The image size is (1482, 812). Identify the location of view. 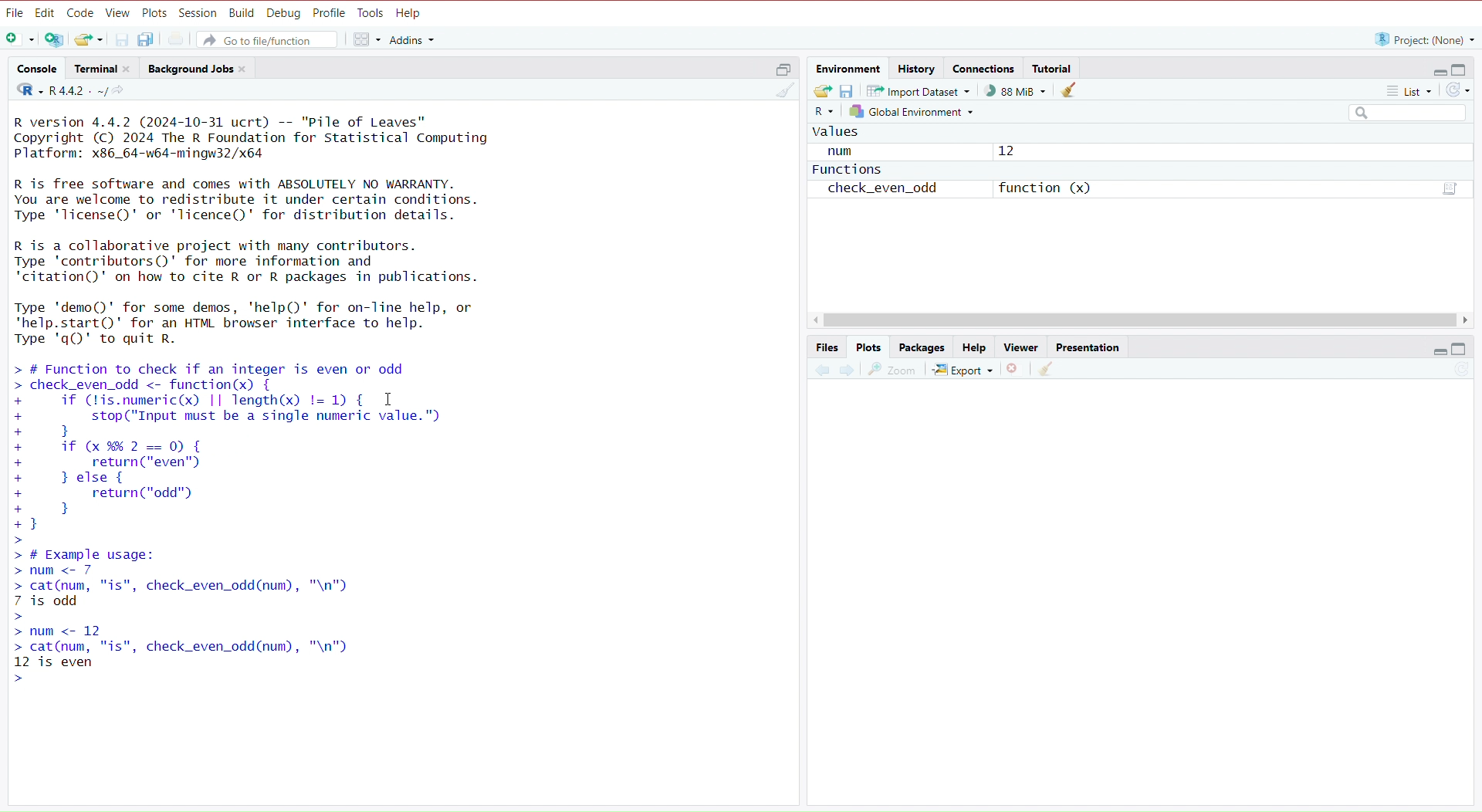
(118, 14).